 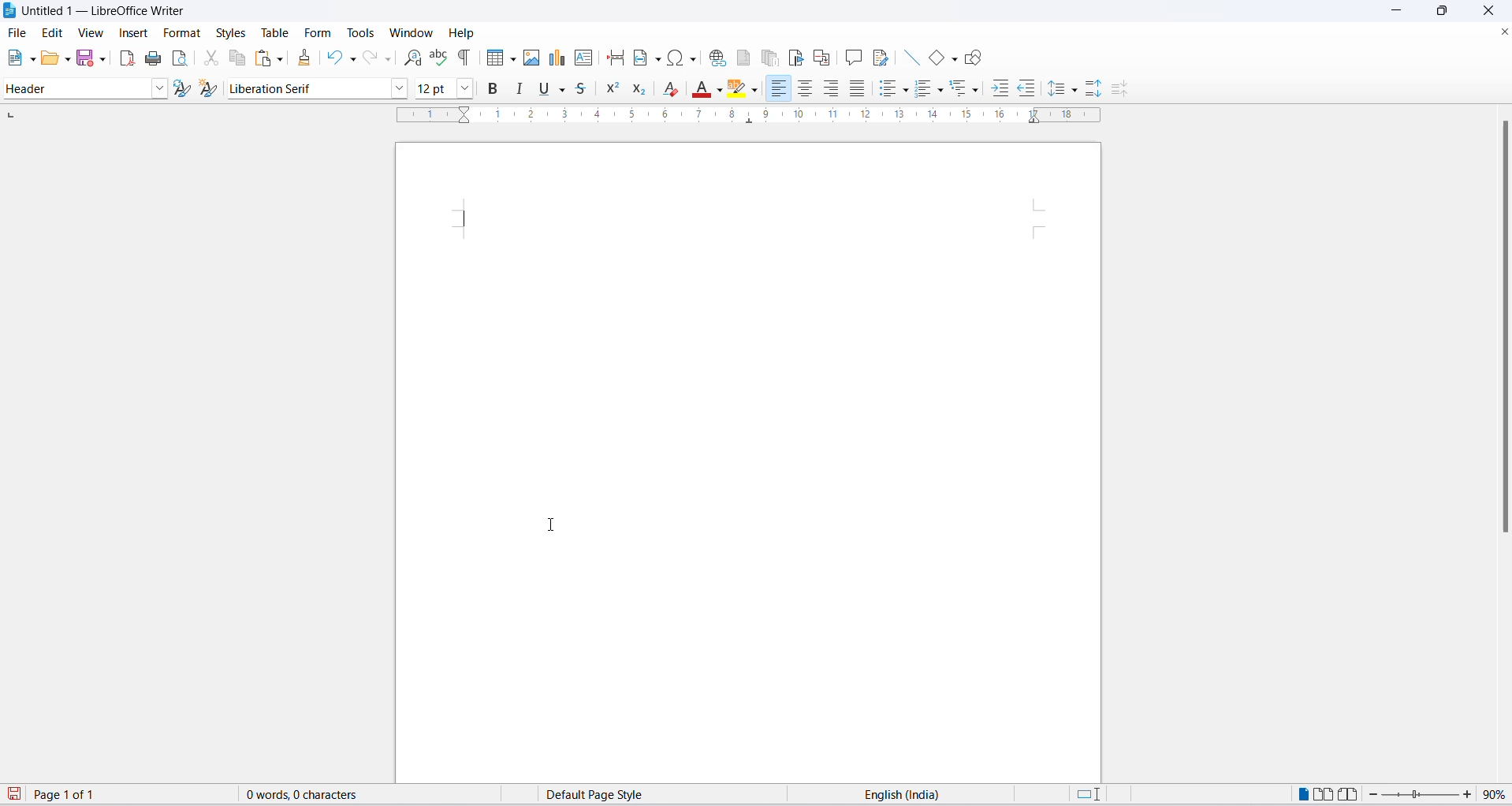 What do you see at coordinates (156, 88) in the screenshot?
I see `paragraph style options` at bounding box center [156, 88].